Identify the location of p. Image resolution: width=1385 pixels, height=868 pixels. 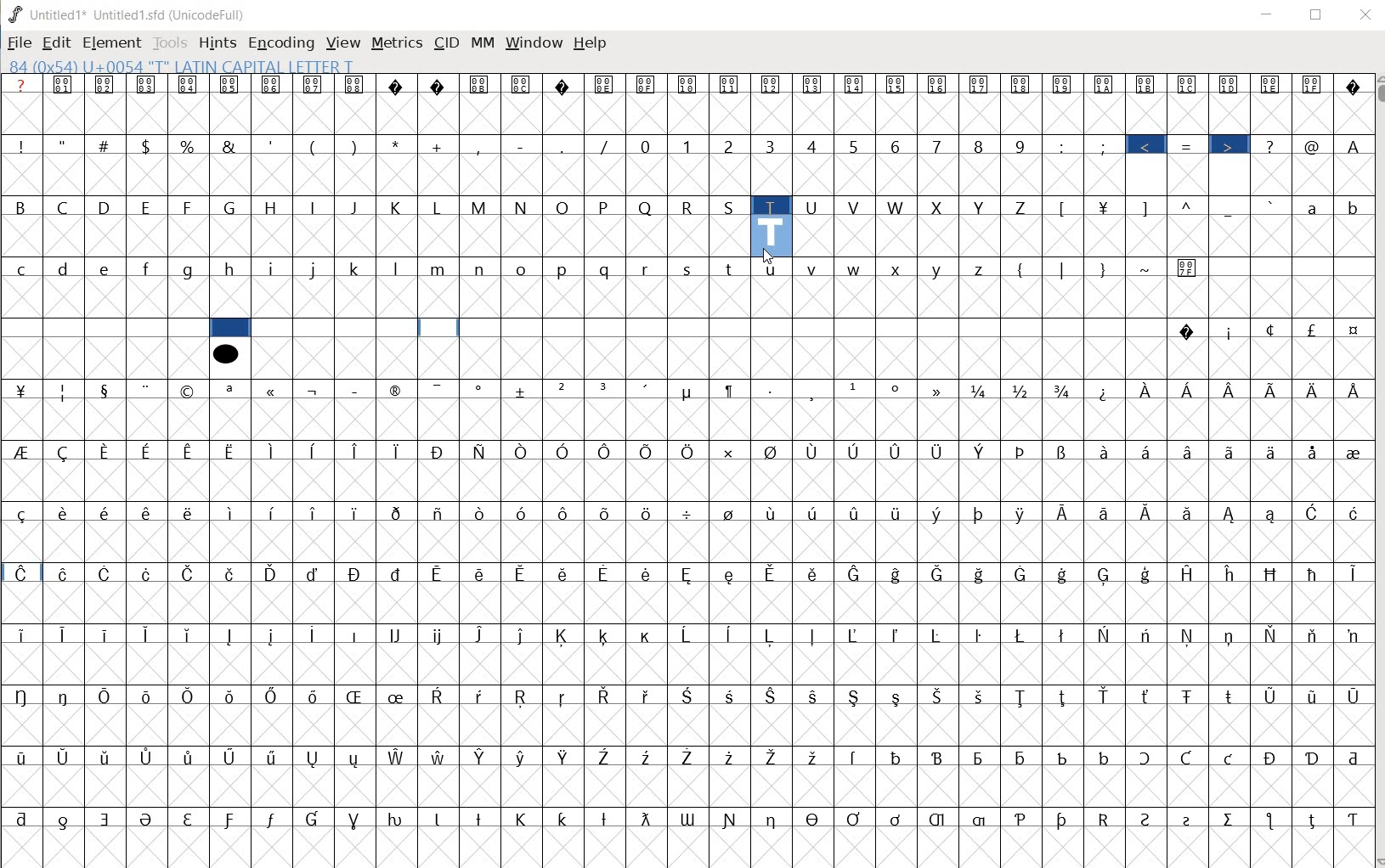
(565, 269).